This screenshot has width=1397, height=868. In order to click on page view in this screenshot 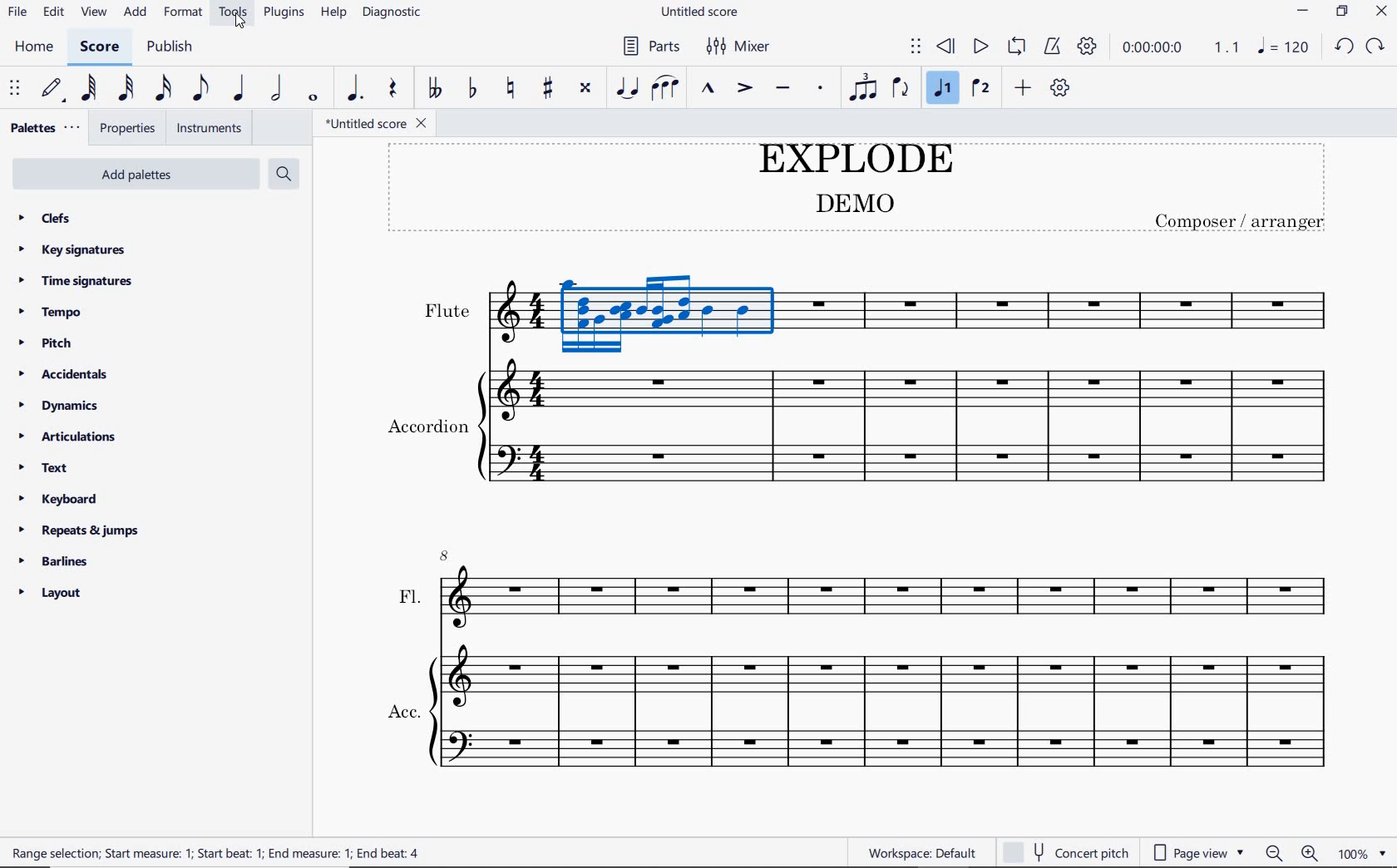, I will do `click(1201, 850)`.